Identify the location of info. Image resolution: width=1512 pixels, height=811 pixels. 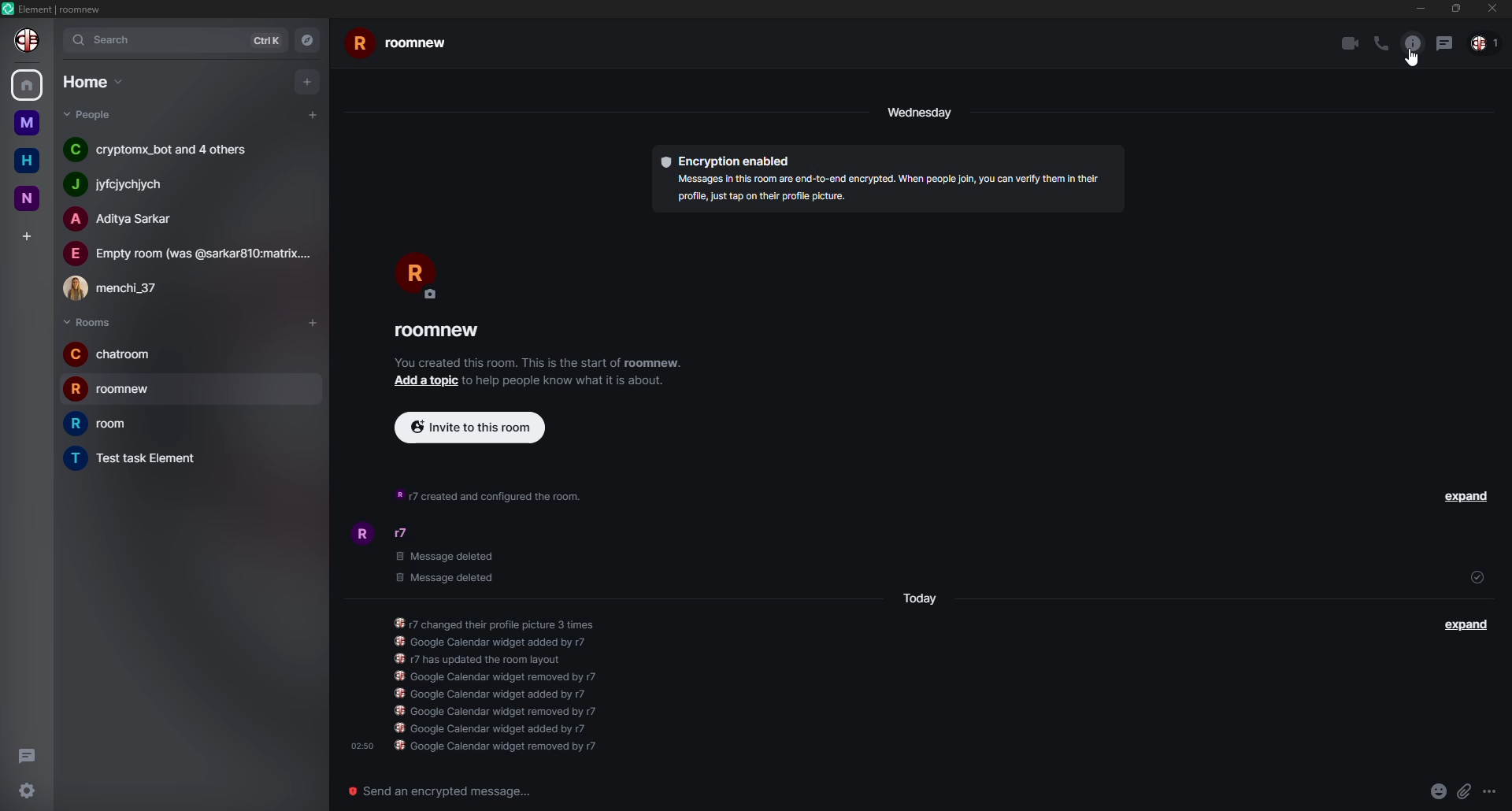
(502, 685).